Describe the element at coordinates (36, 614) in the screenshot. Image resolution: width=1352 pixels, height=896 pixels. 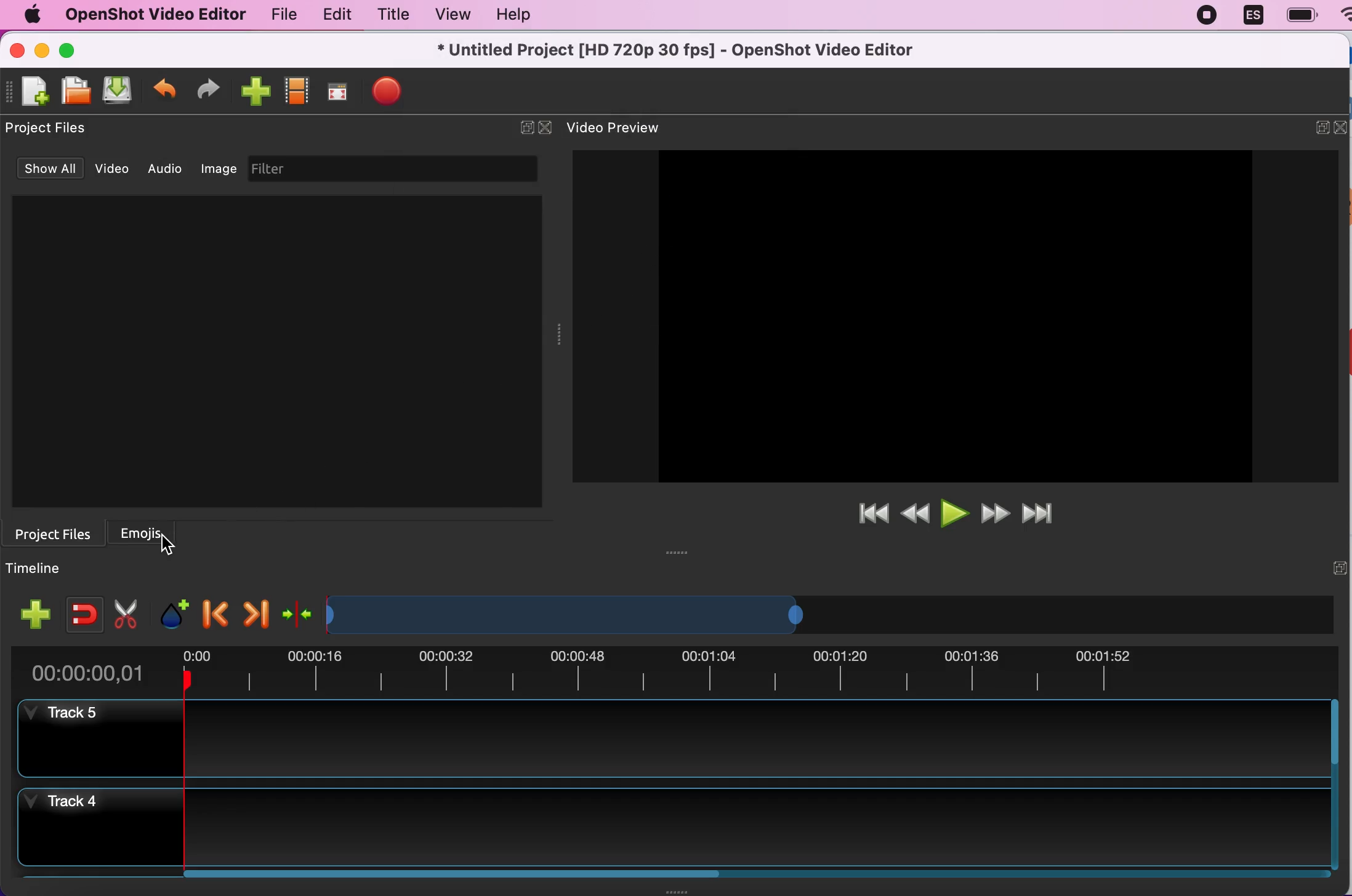
I see `add track` at that location.